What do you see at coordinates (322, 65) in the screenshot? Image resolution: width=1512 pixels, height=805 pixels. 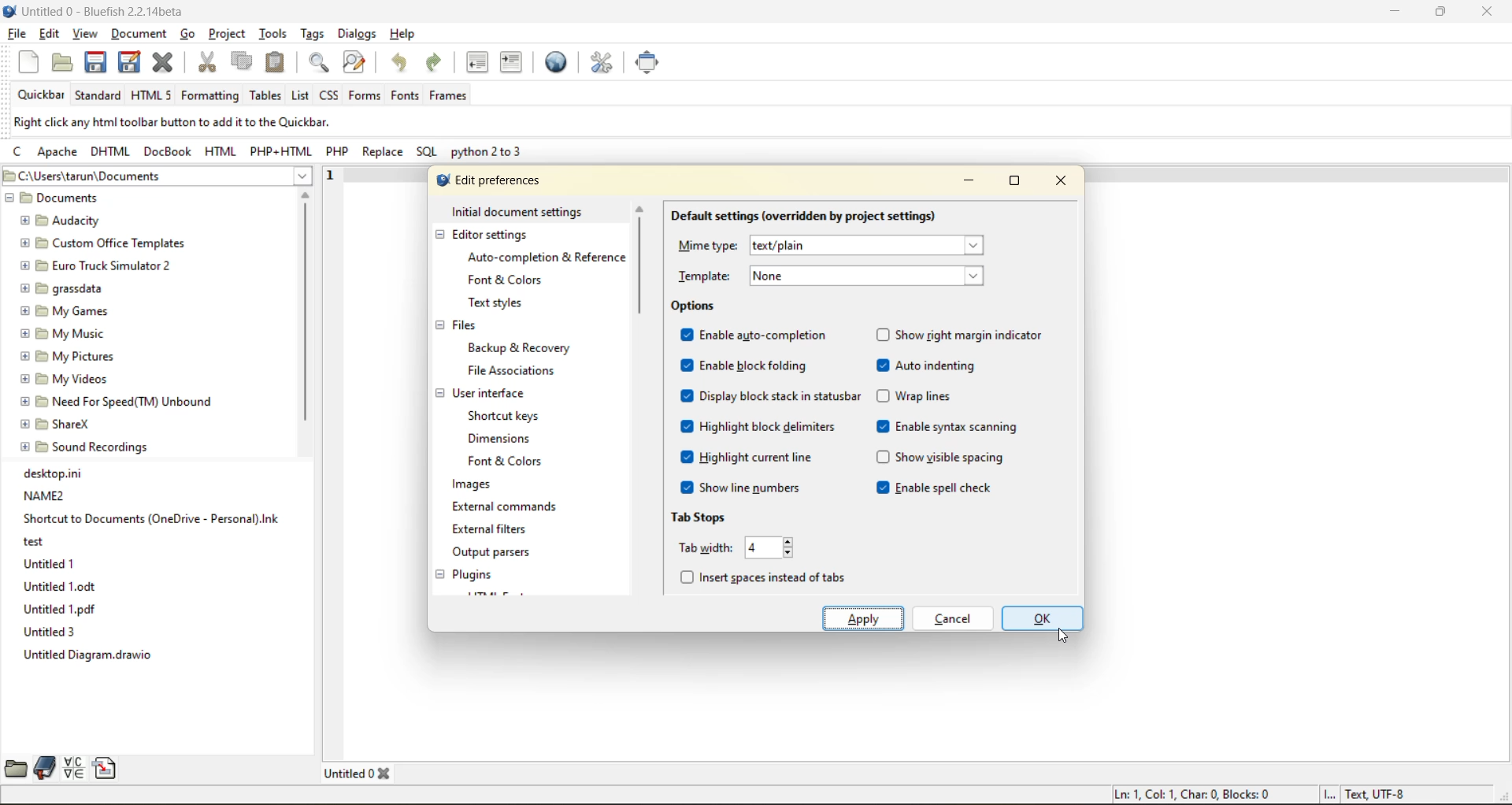 I see `find` at bounding box center [322, 65].